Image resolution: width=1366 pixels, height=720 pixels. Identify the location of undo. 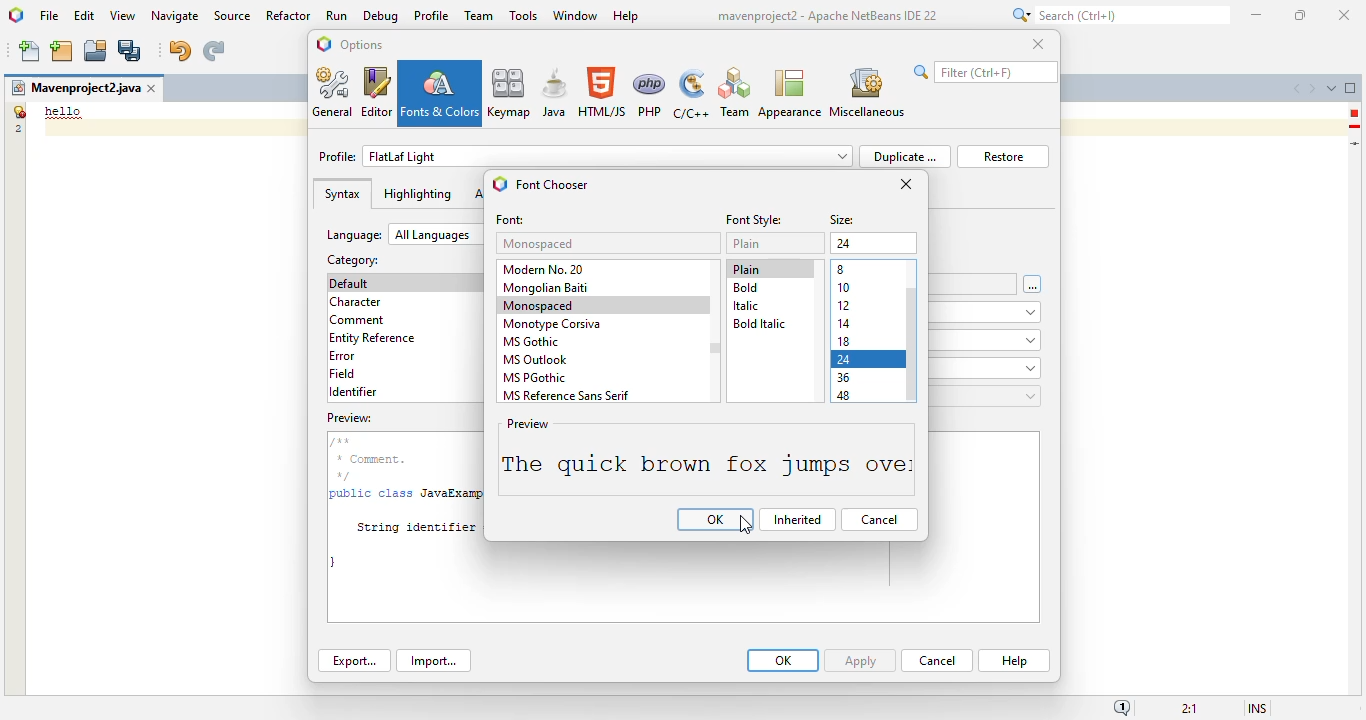
(179, 51).